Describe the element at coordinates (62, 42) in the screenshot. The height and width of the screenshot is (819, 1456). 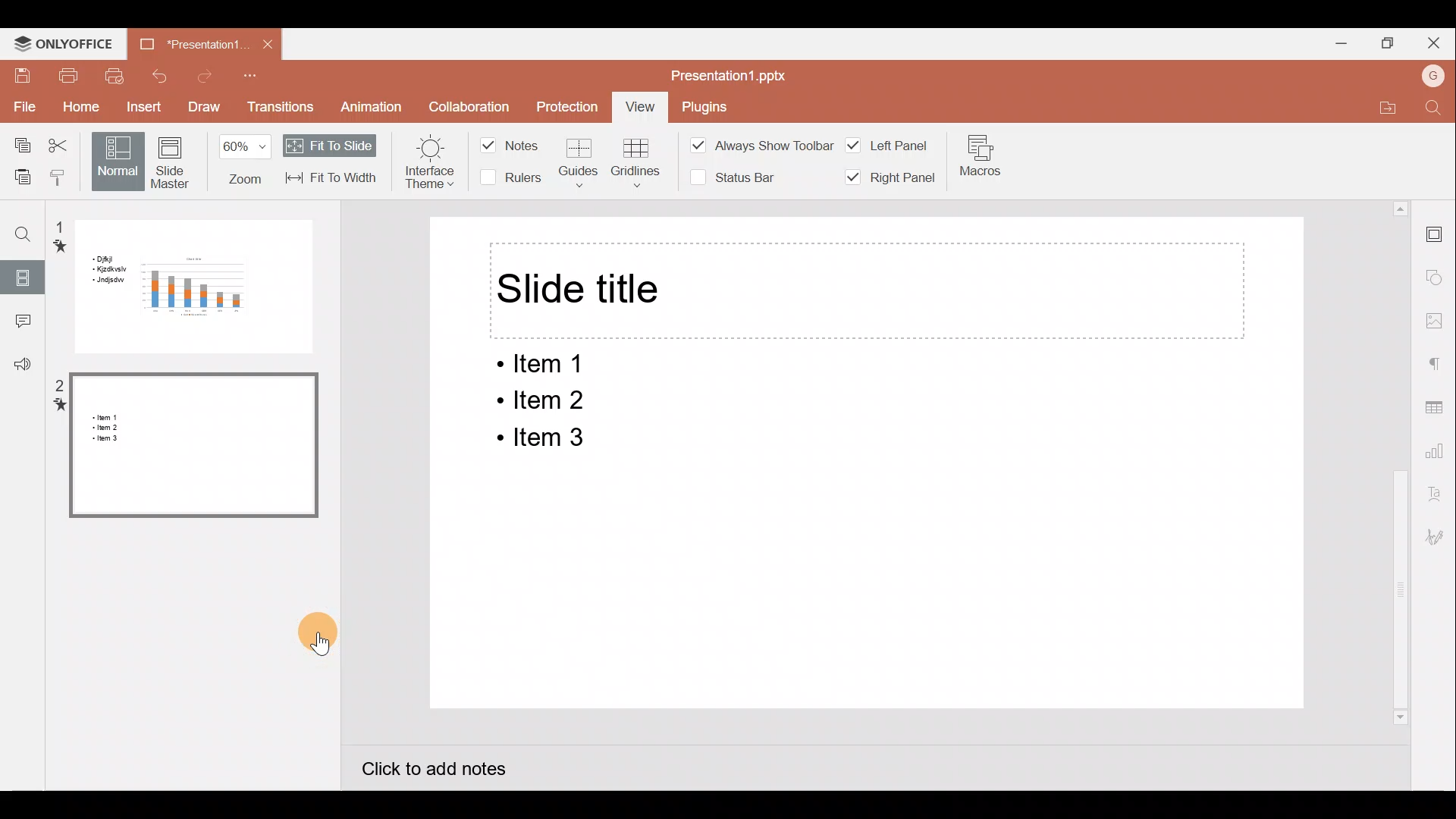
I see `ONLYOFFICE` at that location.